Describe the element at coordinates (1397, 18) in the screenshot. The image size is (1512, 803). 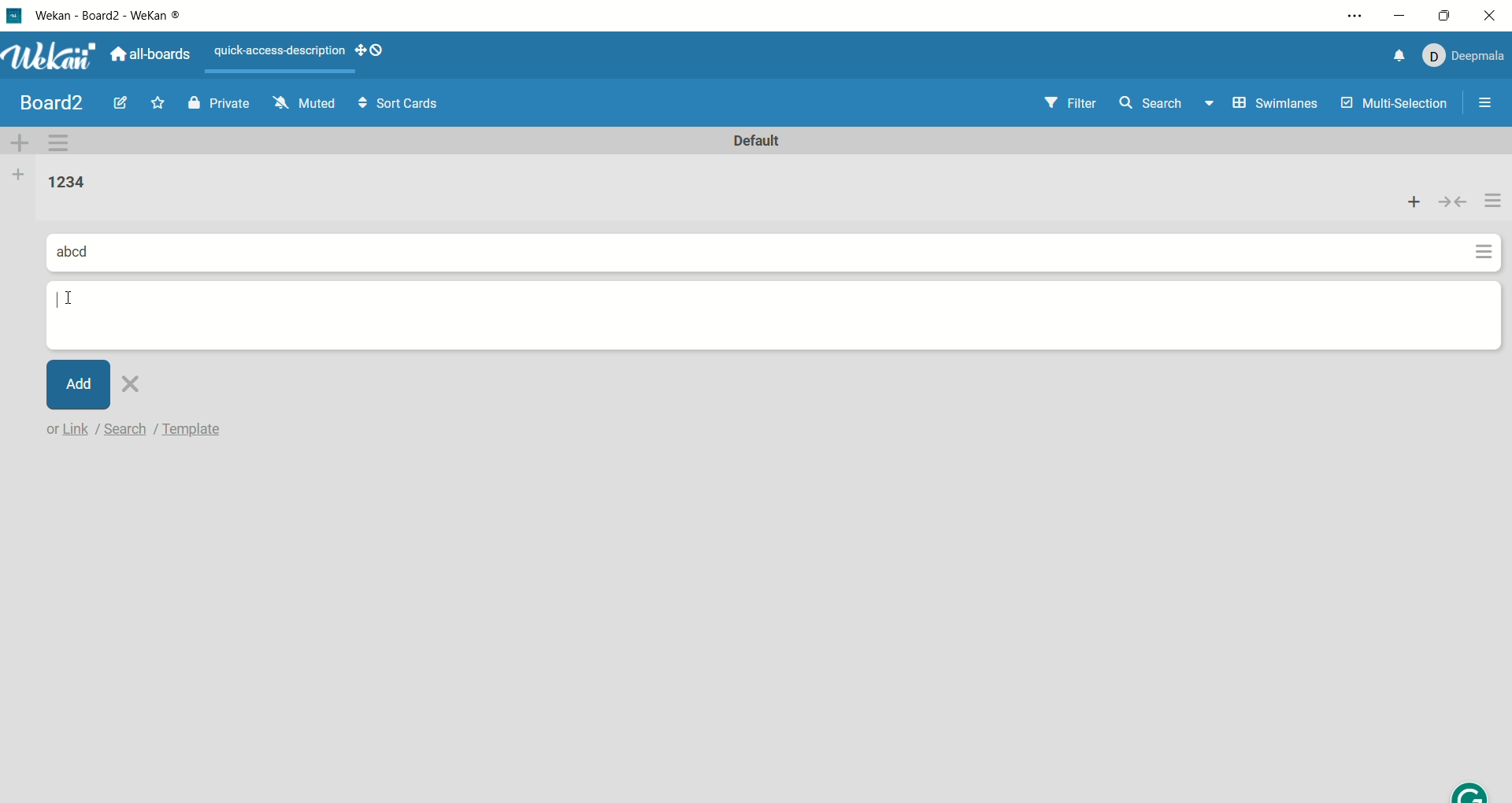
I see `minimize` at that location.